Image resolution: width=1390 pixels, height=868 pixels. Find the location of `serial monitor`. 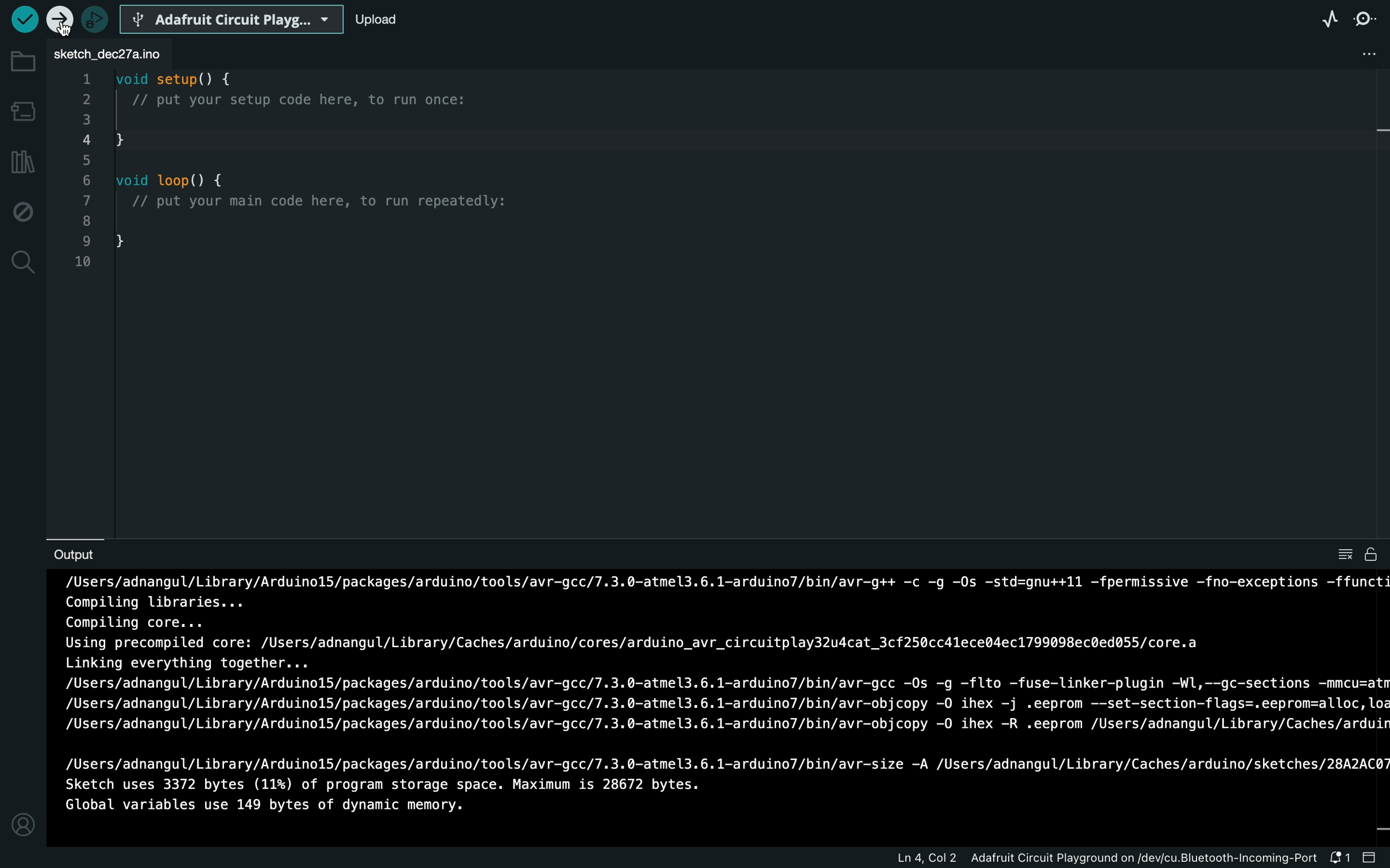

serial monitor is located at coordinates (1364, 17).